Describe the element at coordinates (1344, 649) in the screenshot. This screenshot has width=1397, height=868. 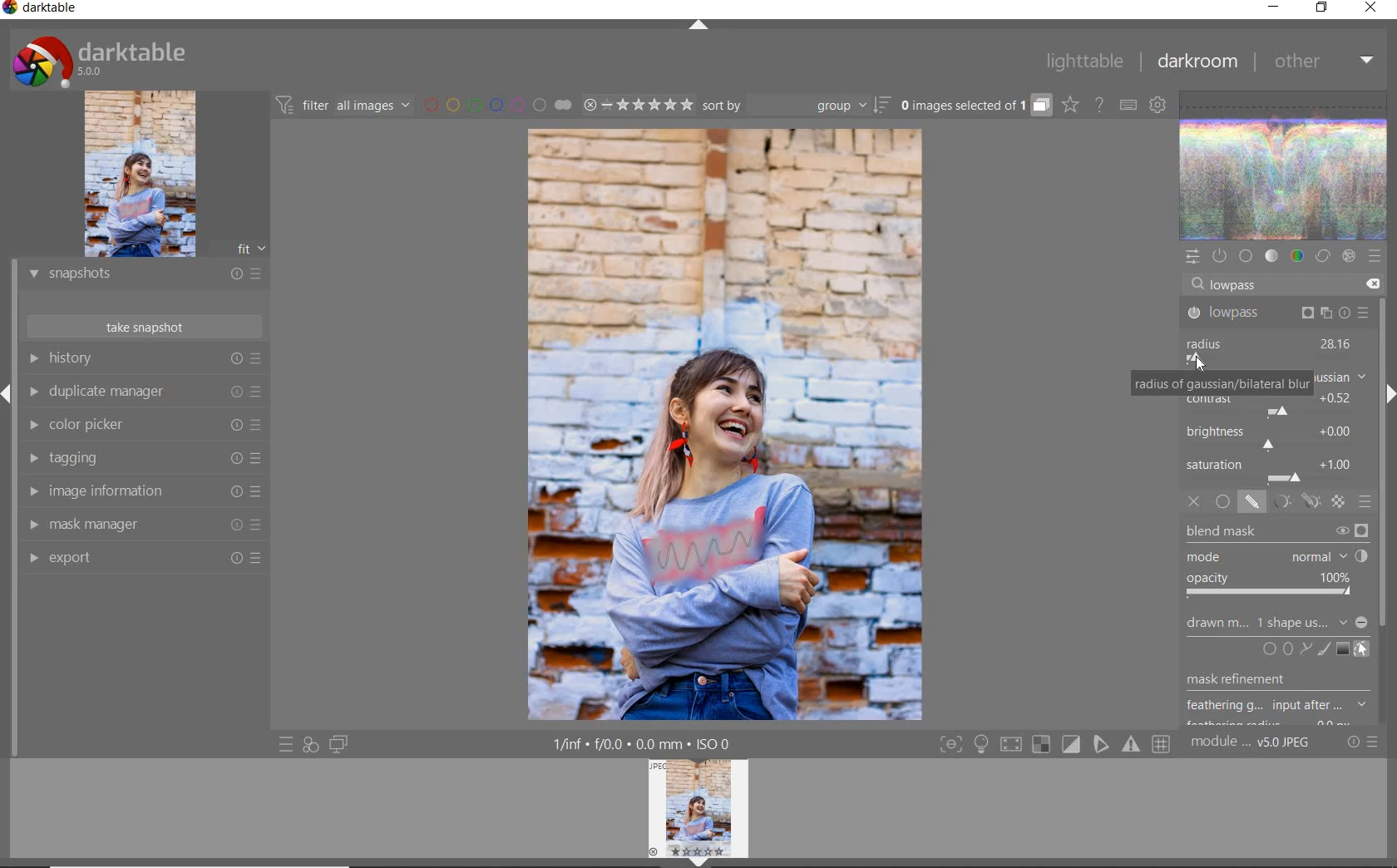
I see `add gradient` at that location.